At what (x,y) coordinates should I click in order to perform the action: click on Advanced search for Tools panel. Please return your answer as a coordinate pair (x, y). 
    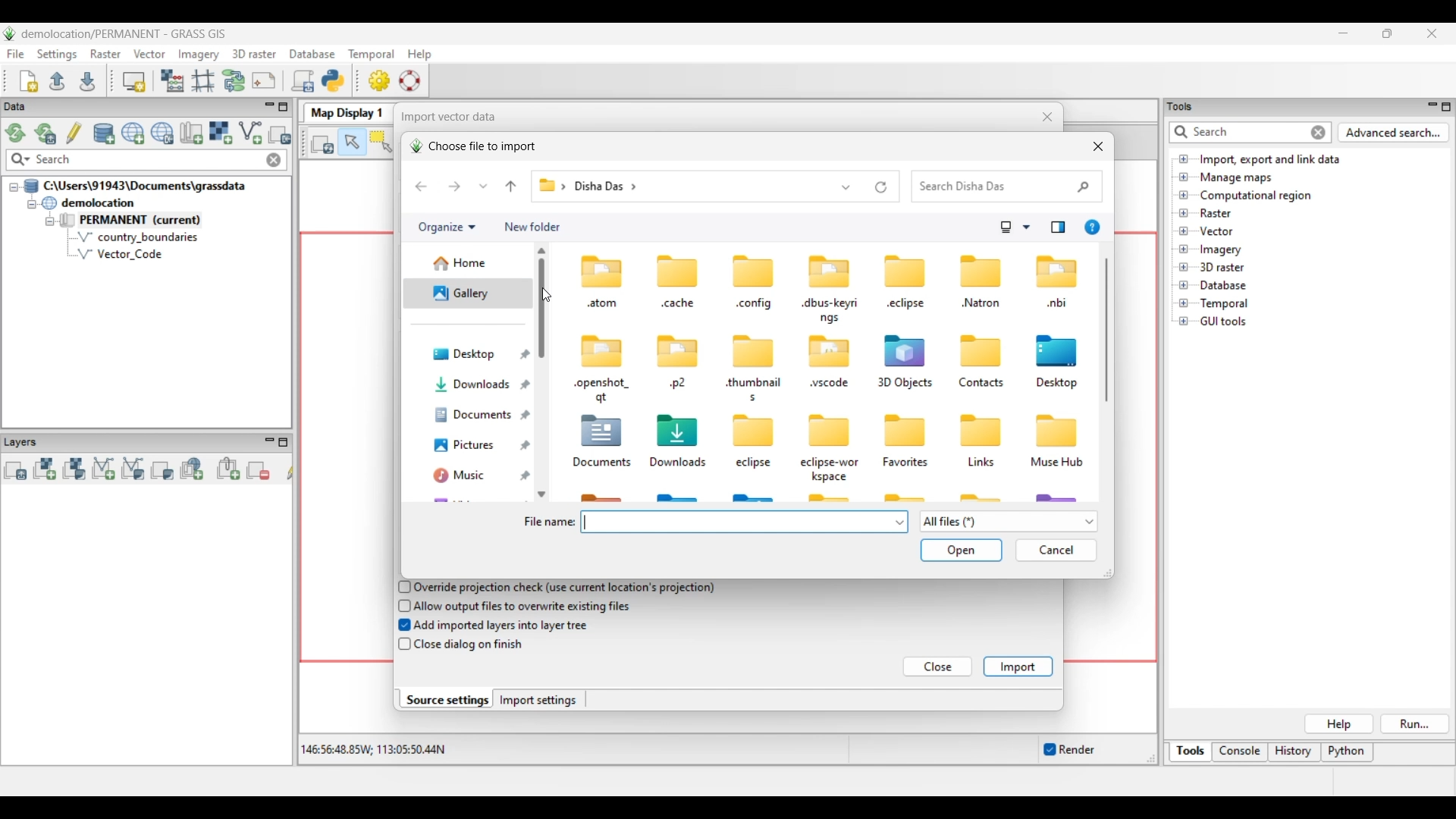
    Looking at the image, I should click on (1394, 133).